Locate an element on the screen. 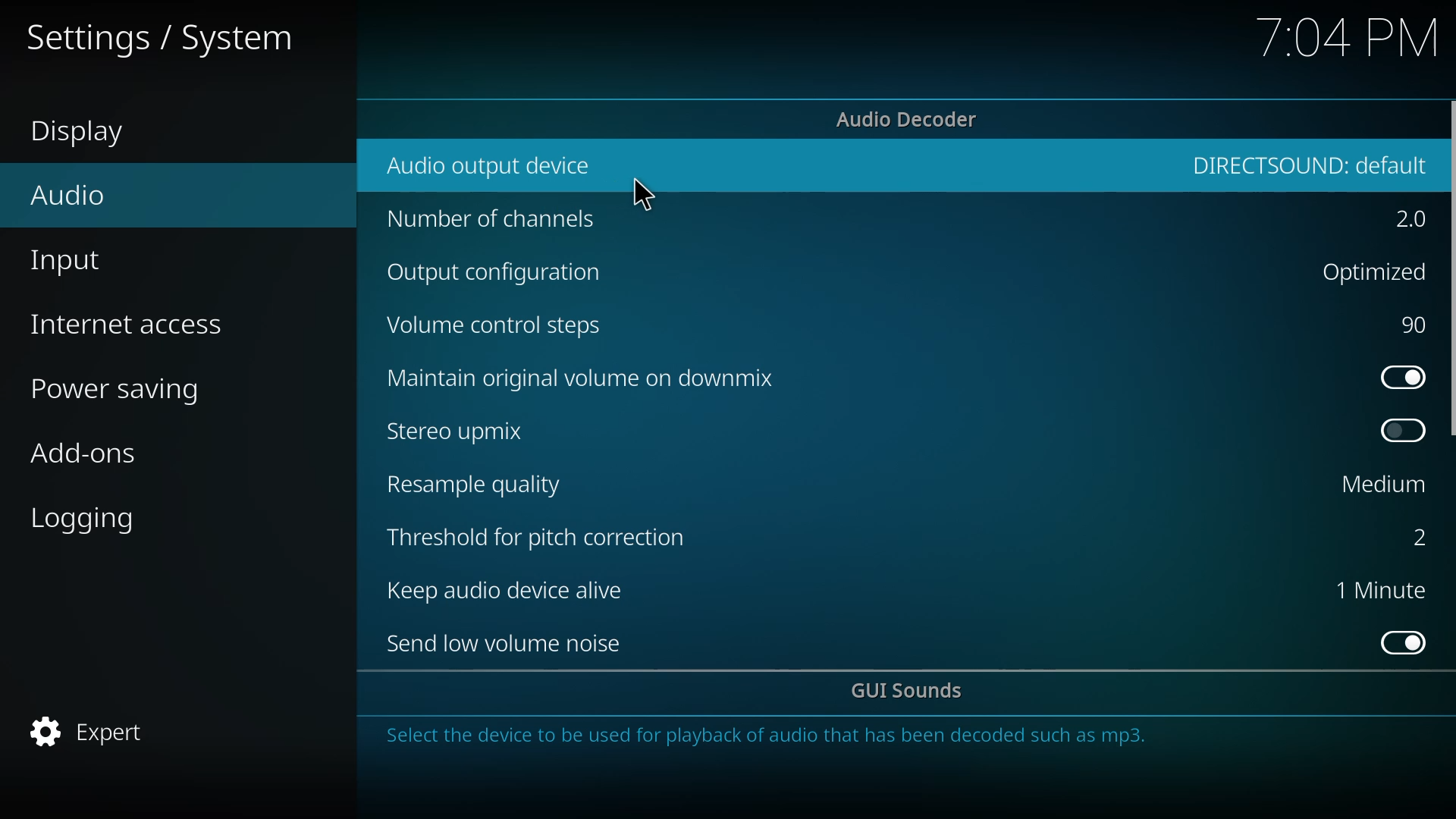 This screenshot has height=819, width=1456. maintain original volume is located at coordinates (585, 376).